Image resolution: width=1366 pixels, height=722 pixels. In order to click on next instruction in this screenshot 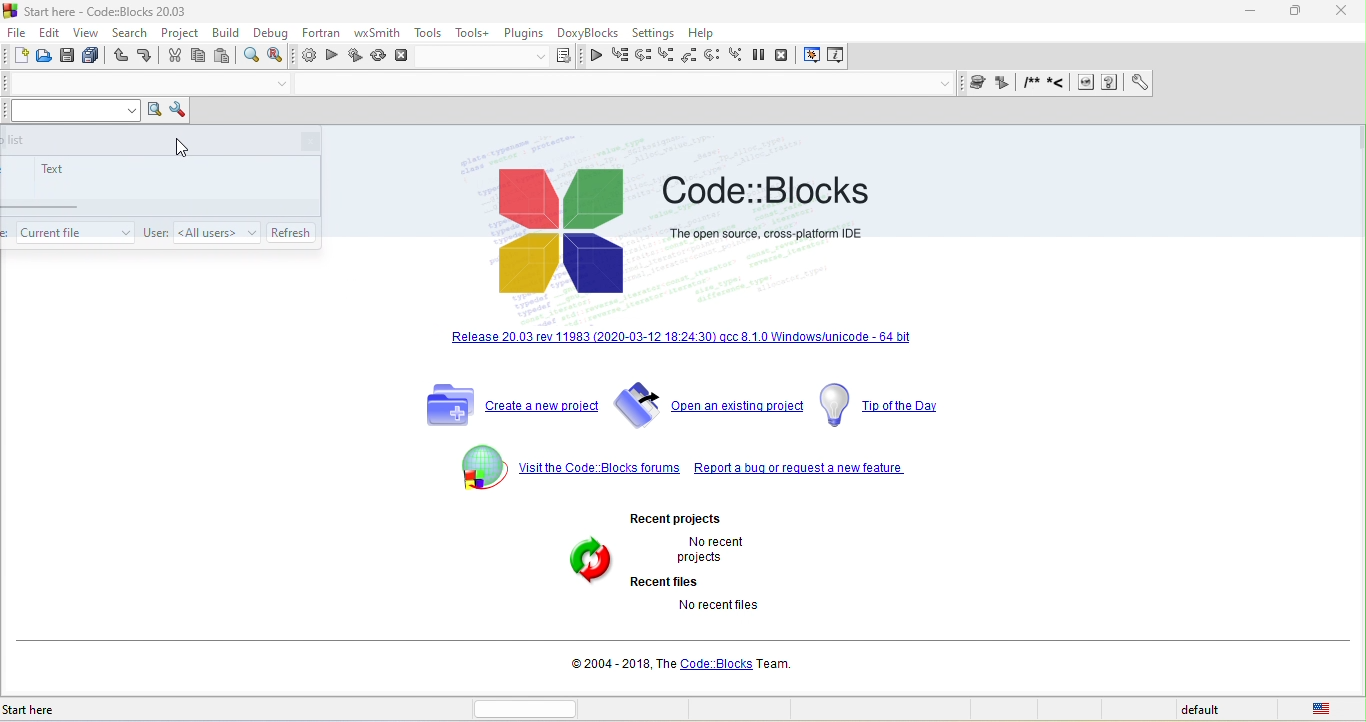, I will do `click(716, 57)`.